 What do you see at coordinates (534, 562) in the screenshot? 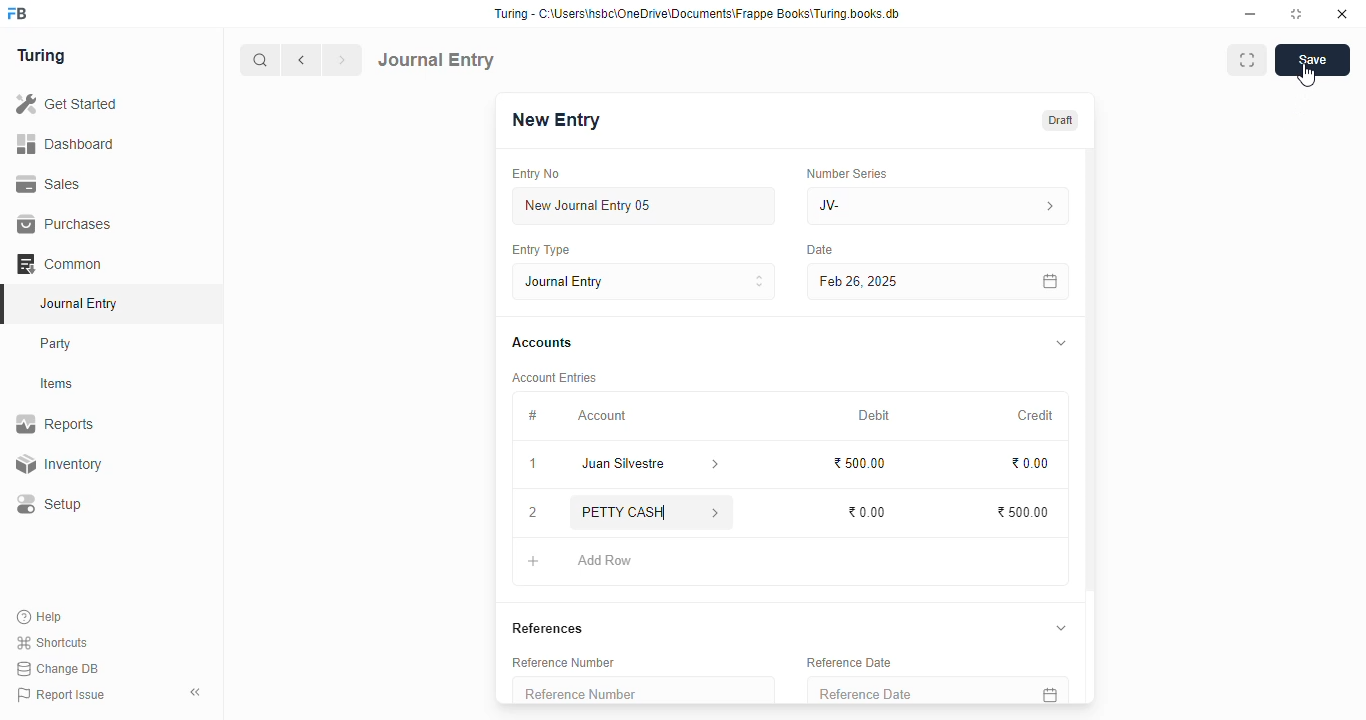
I see `add` at bounding box center [534, 562].